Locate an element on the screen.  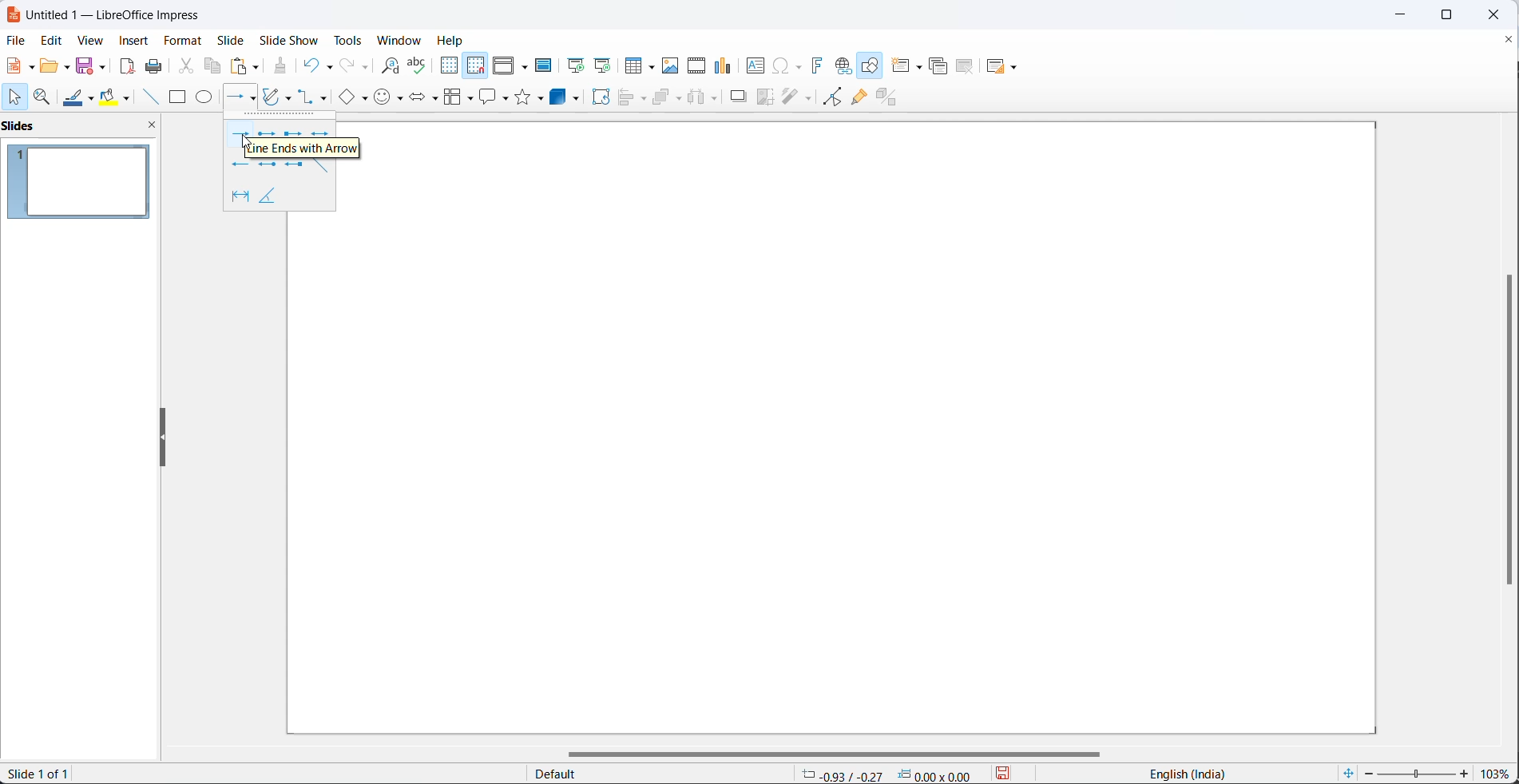
slide preview is located at coordinates (83, 181).